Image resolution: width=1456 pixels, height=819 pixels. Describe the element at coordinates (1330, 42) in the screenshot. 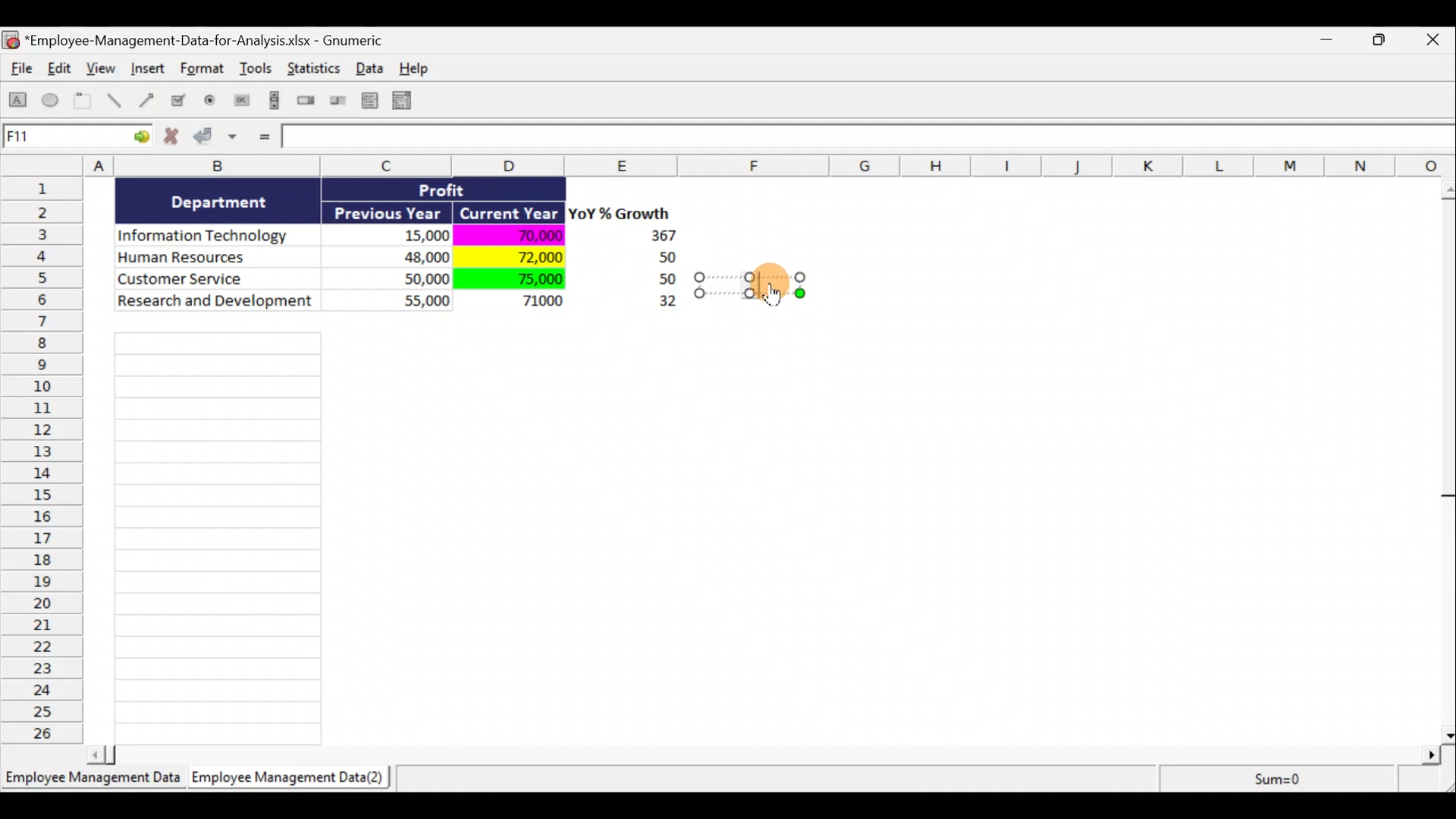

I see `Minimise` at that location.